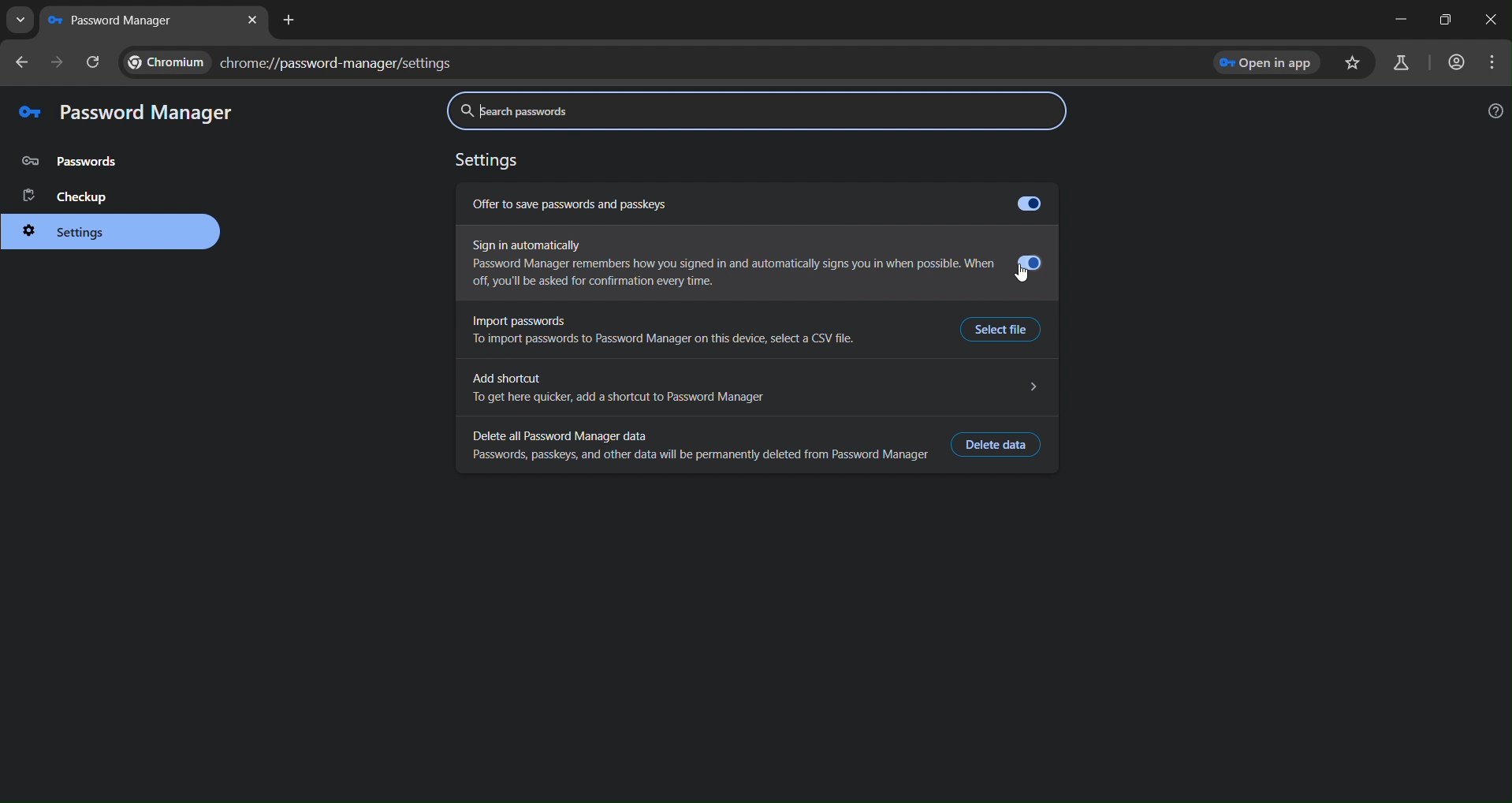 The image size is (1512, 803). Describe the element at coordinates (1444, 19) in the screenshot. I see `restore down` at that location.